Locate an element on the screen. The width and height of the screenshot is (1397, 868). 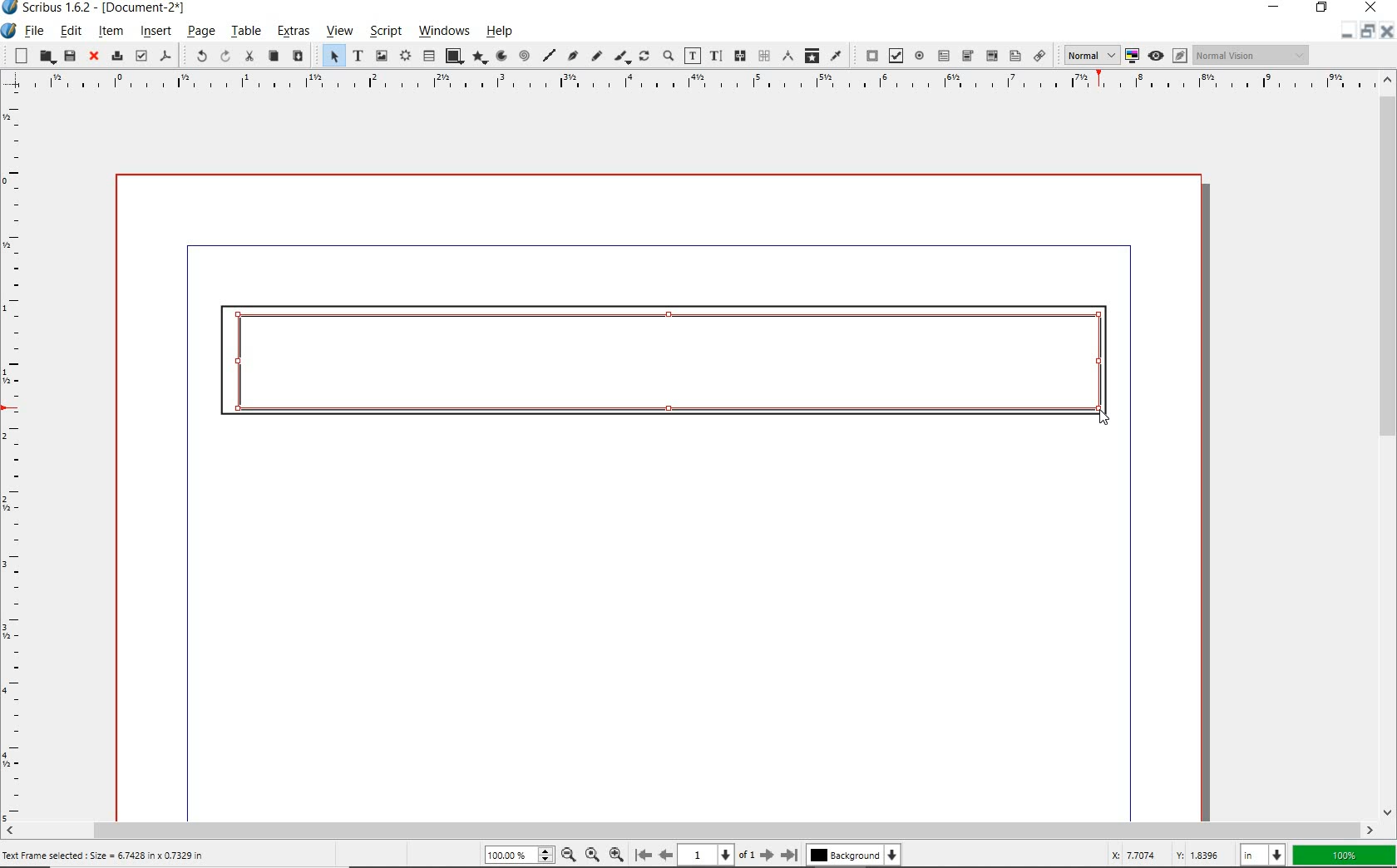
select item is located at coordinates (332, 55).